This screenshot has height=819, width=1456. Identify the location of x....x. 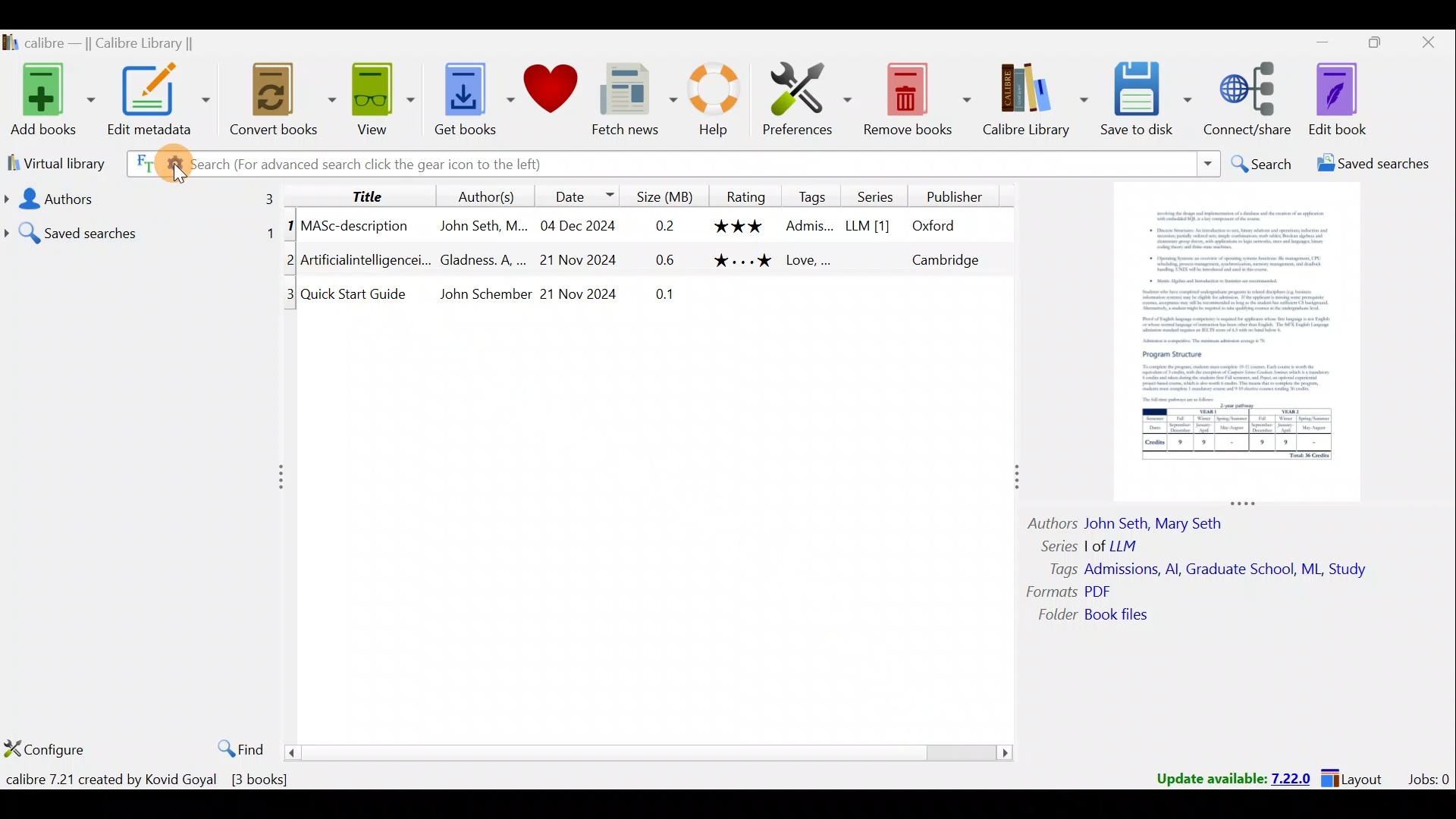
(741, 264).